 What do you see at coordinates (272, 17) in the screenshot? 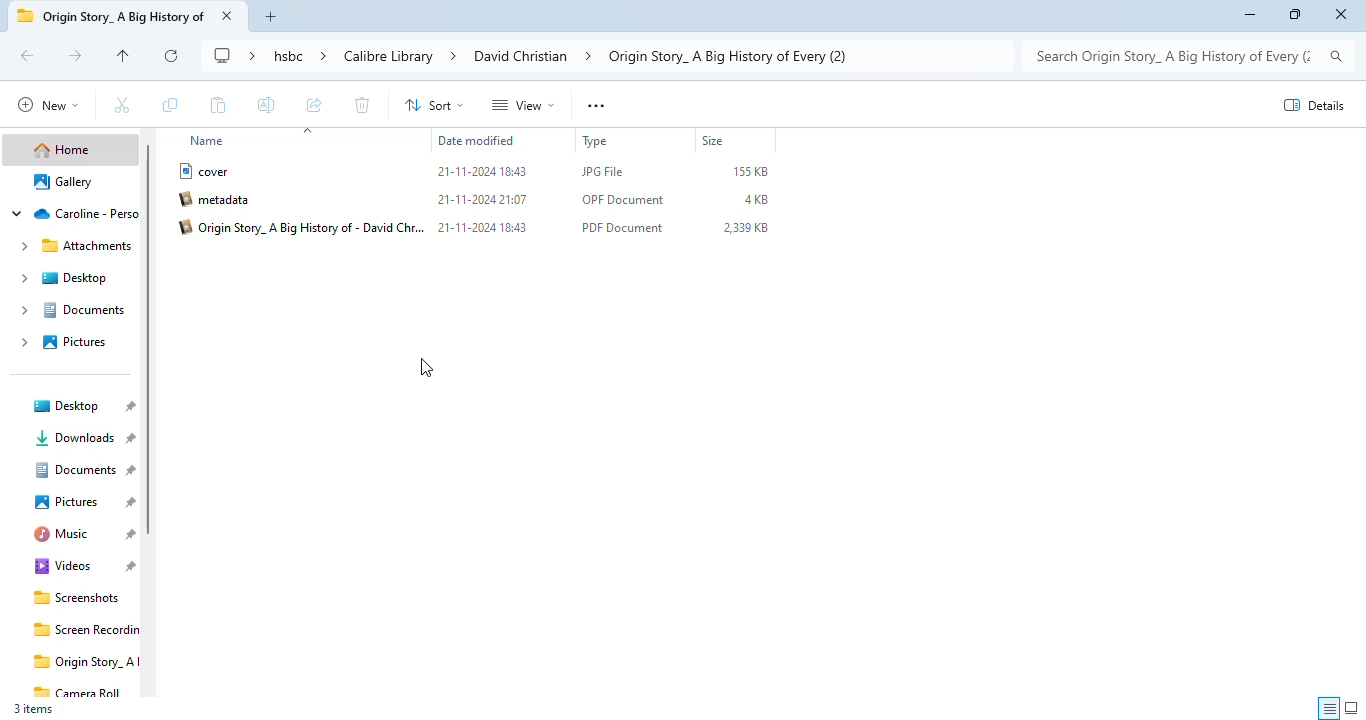
I see `add new tab` at bounding box center [272, 17].